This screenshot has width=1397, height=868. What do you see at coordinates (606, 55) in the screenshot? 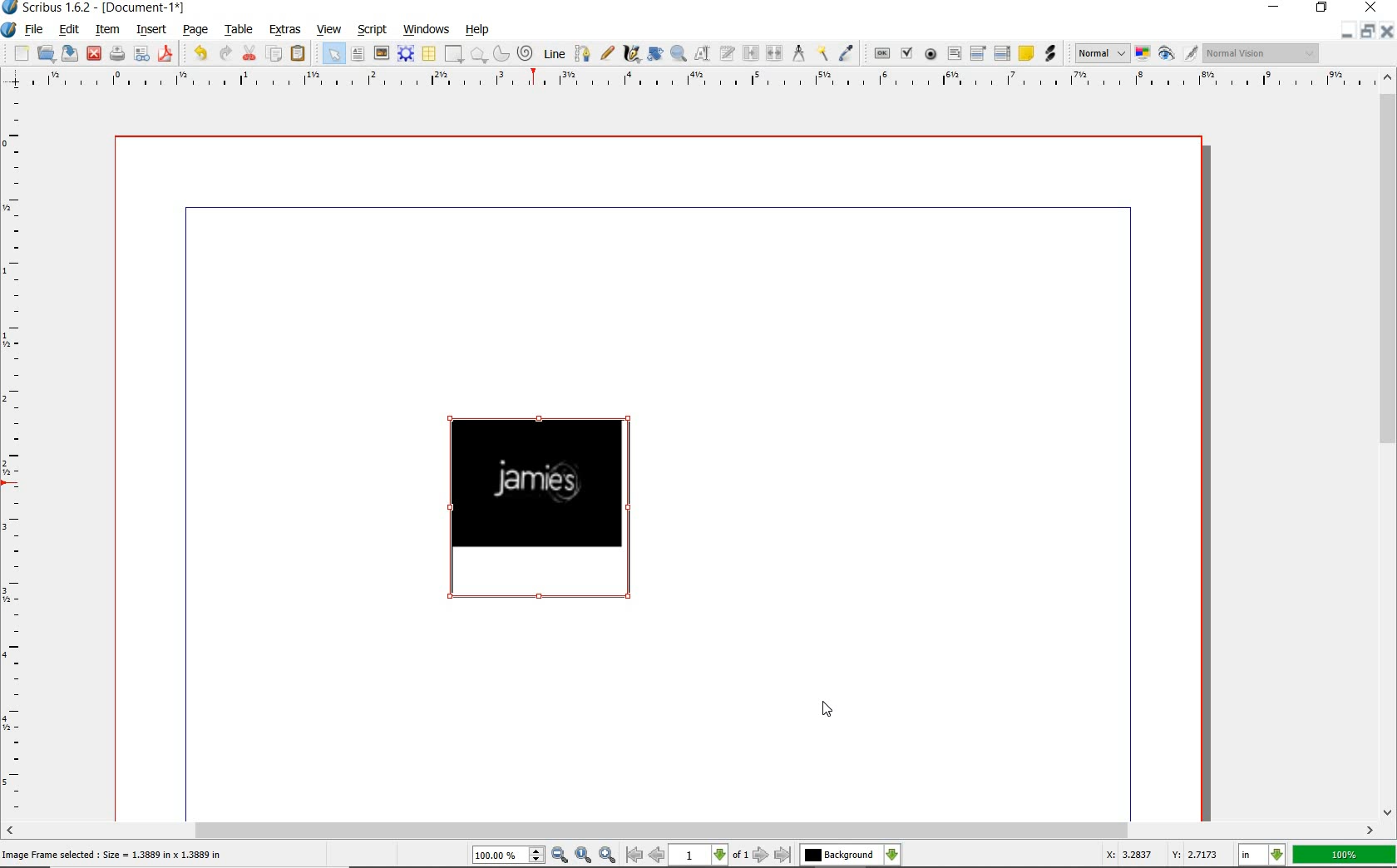
I see `freehand line` at bounding box center [606, 55].